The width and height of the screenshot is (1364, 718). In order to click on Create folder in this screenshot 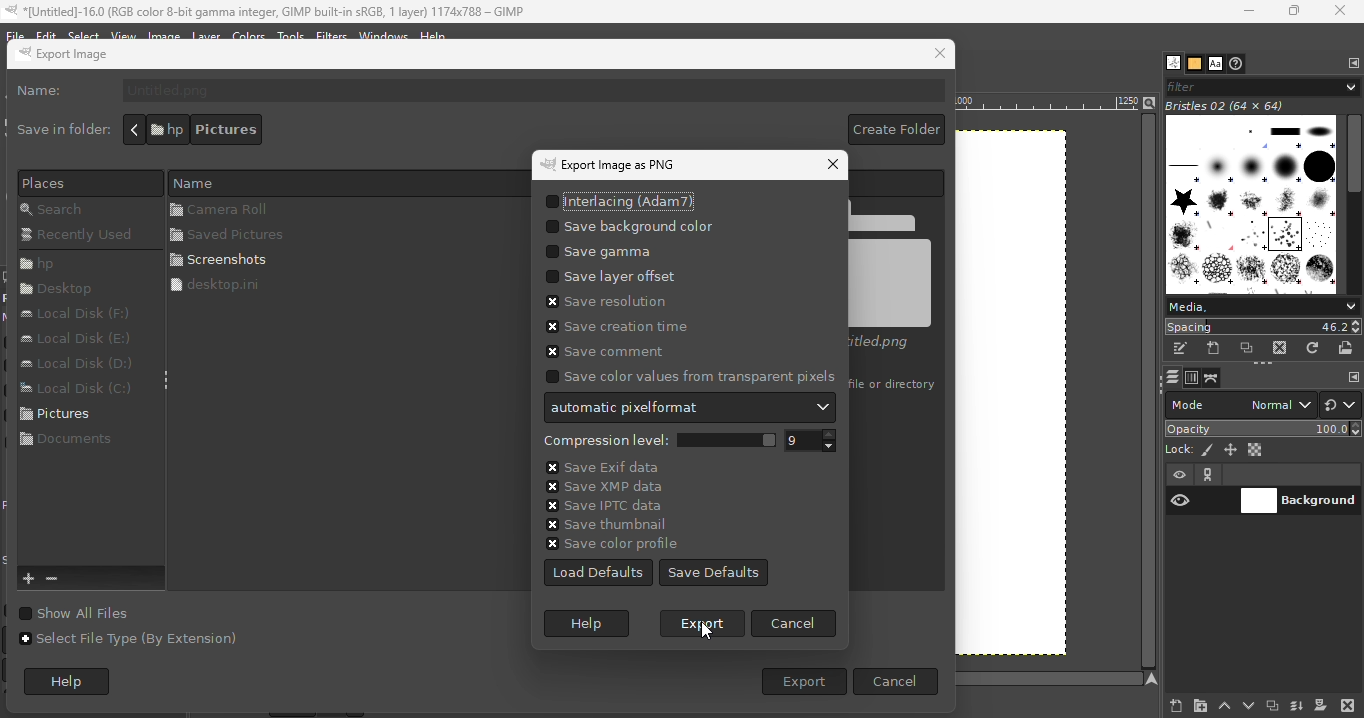, I will do `click(893, 131)`.